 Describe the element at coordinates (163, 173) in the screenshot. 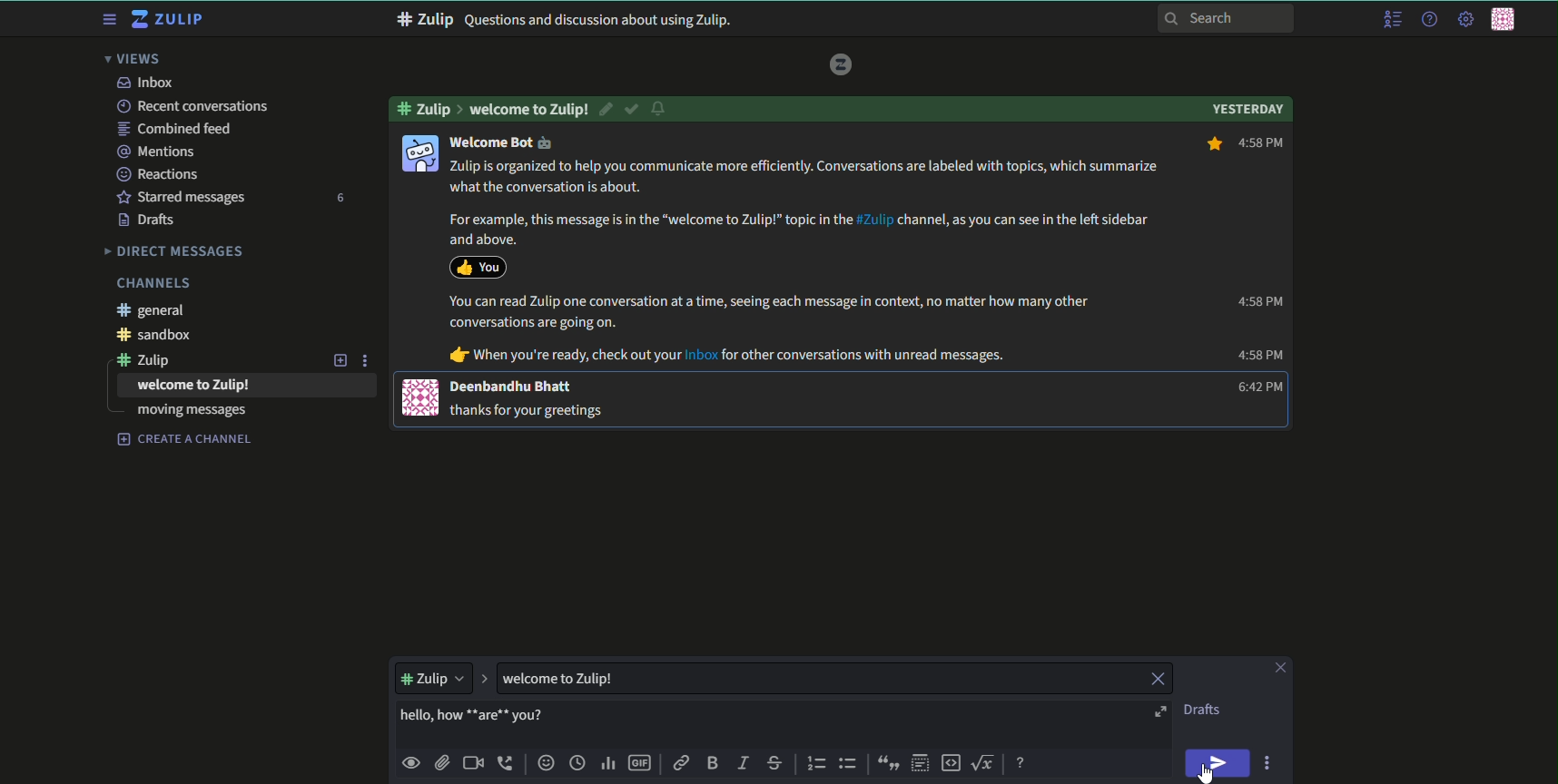

I see `Reactions` at that location.